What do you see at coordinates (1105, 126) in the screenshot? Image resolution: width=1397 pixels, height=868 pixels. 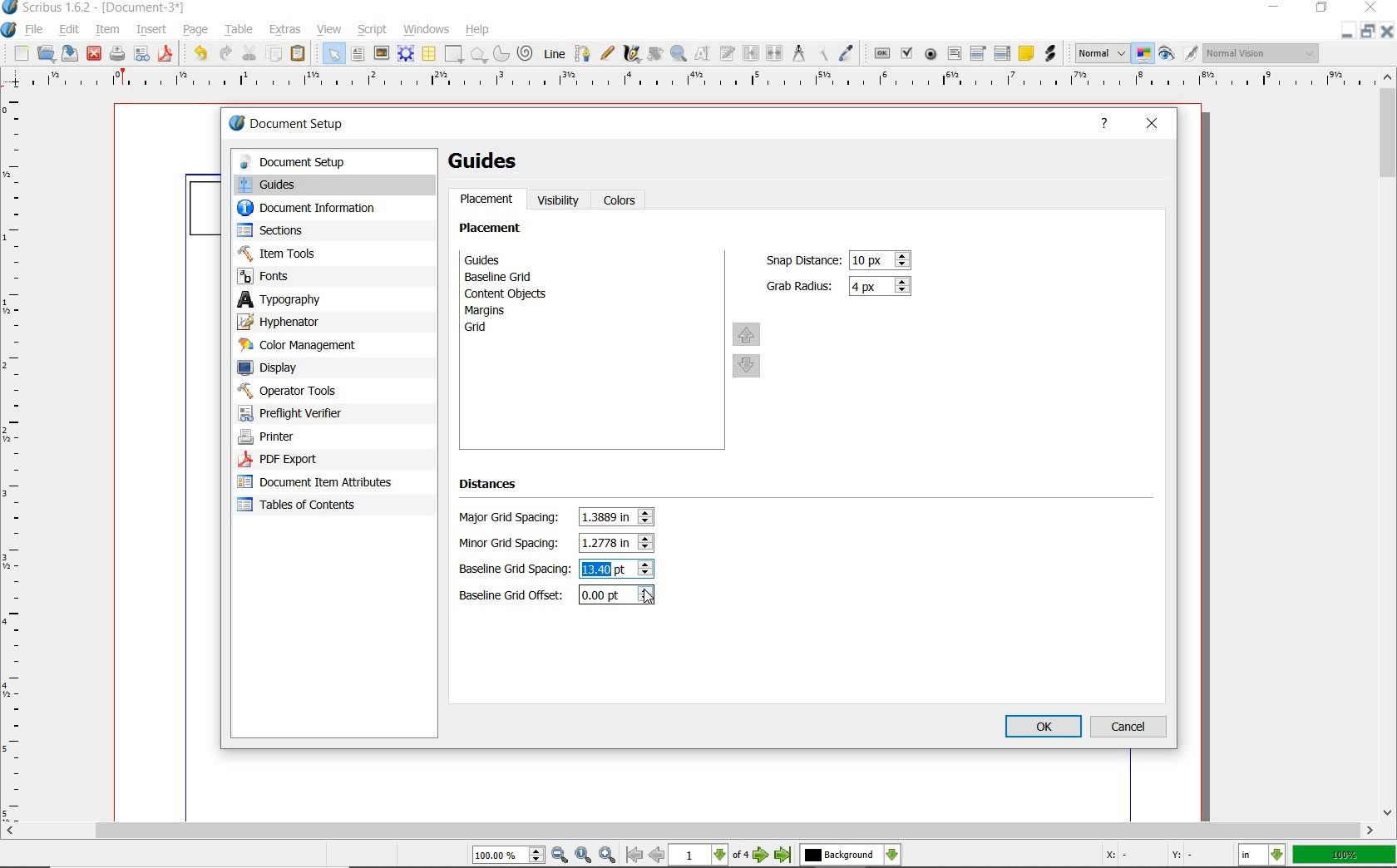 I see `help` at bounding box center [1105, 126].